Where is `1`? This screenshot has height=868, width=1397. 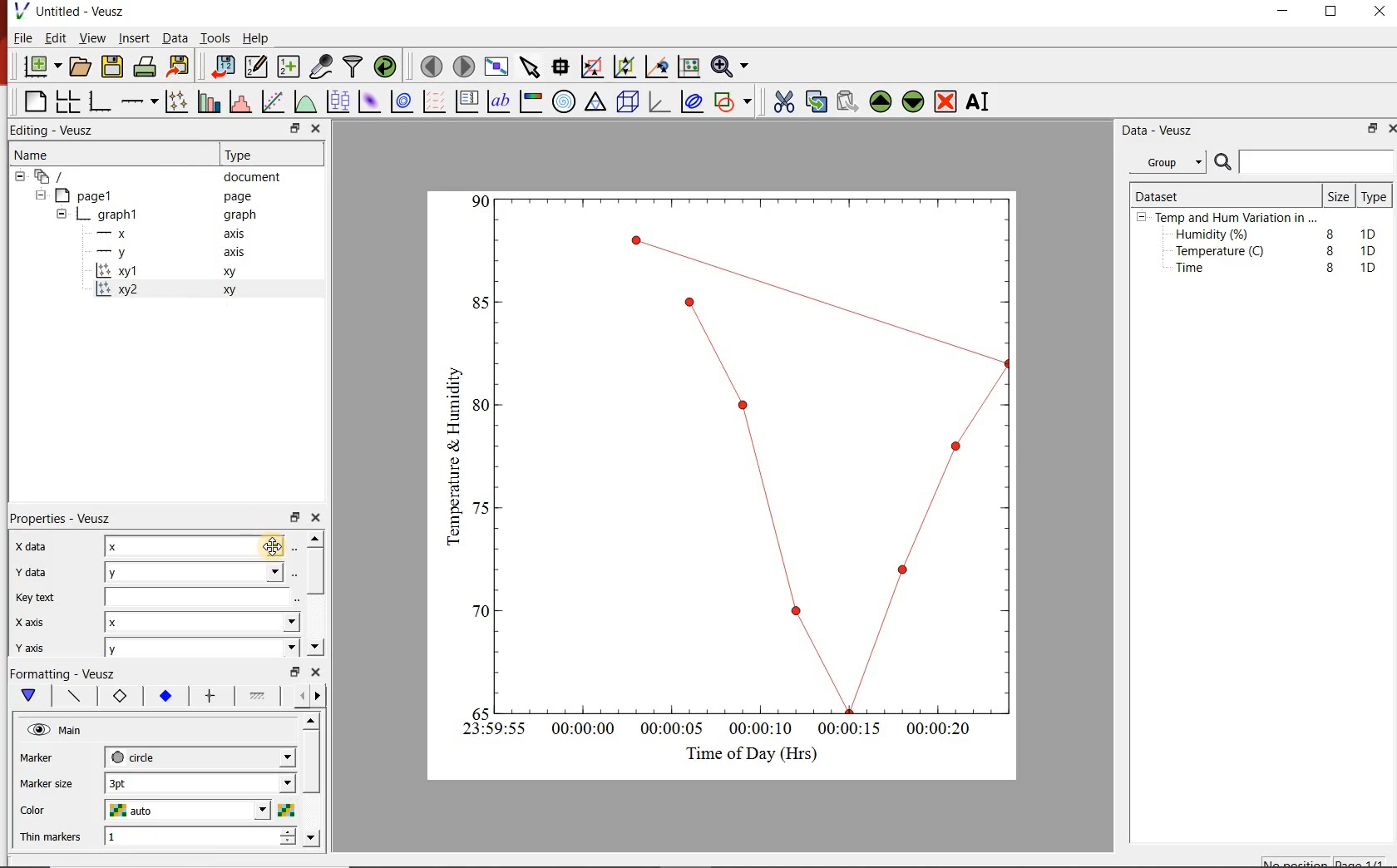
1 is located at coordinates (481, 200).